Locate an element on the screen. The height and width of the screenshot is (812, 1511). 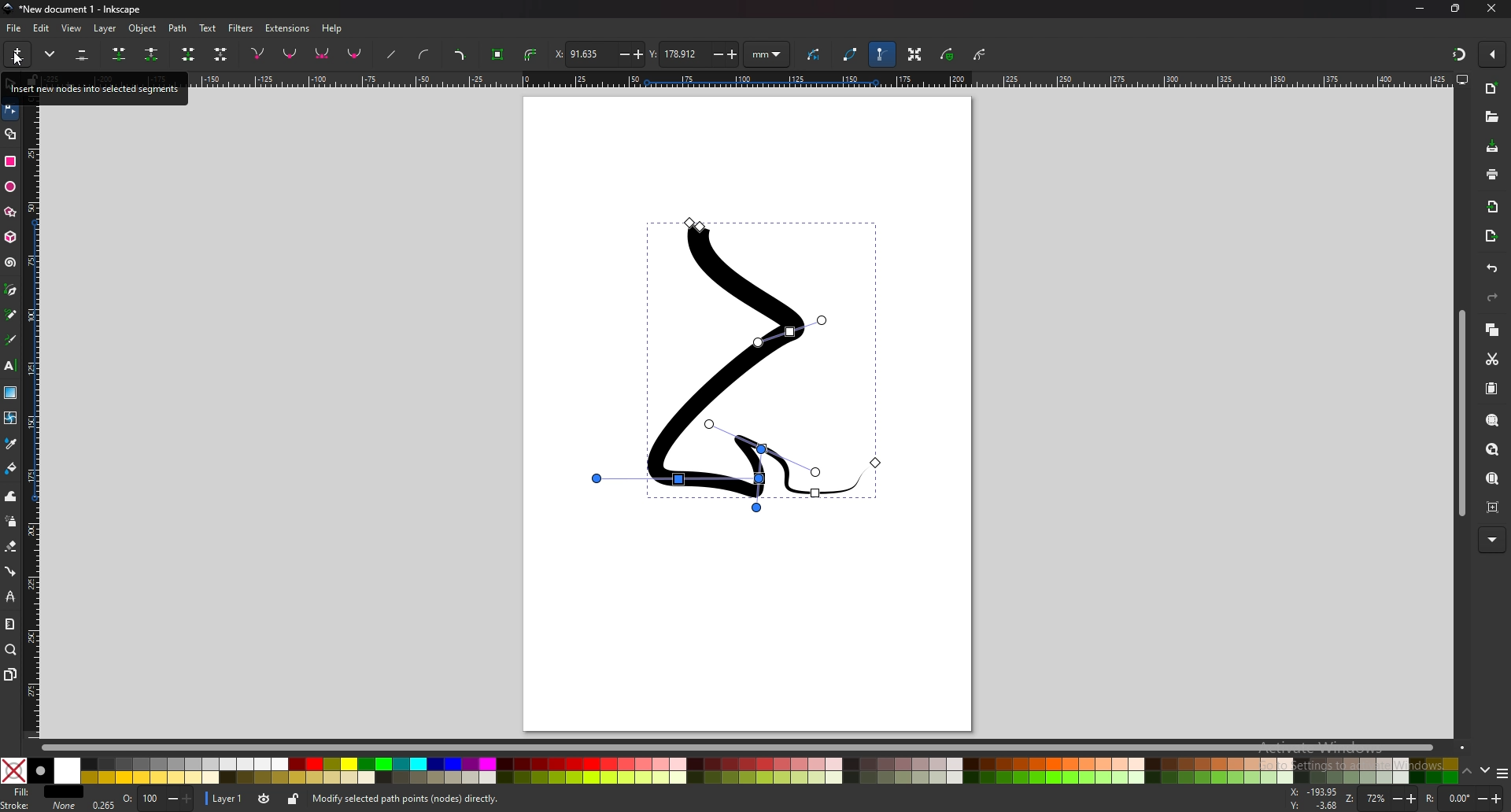
down is located at coordinates (1483, 772).